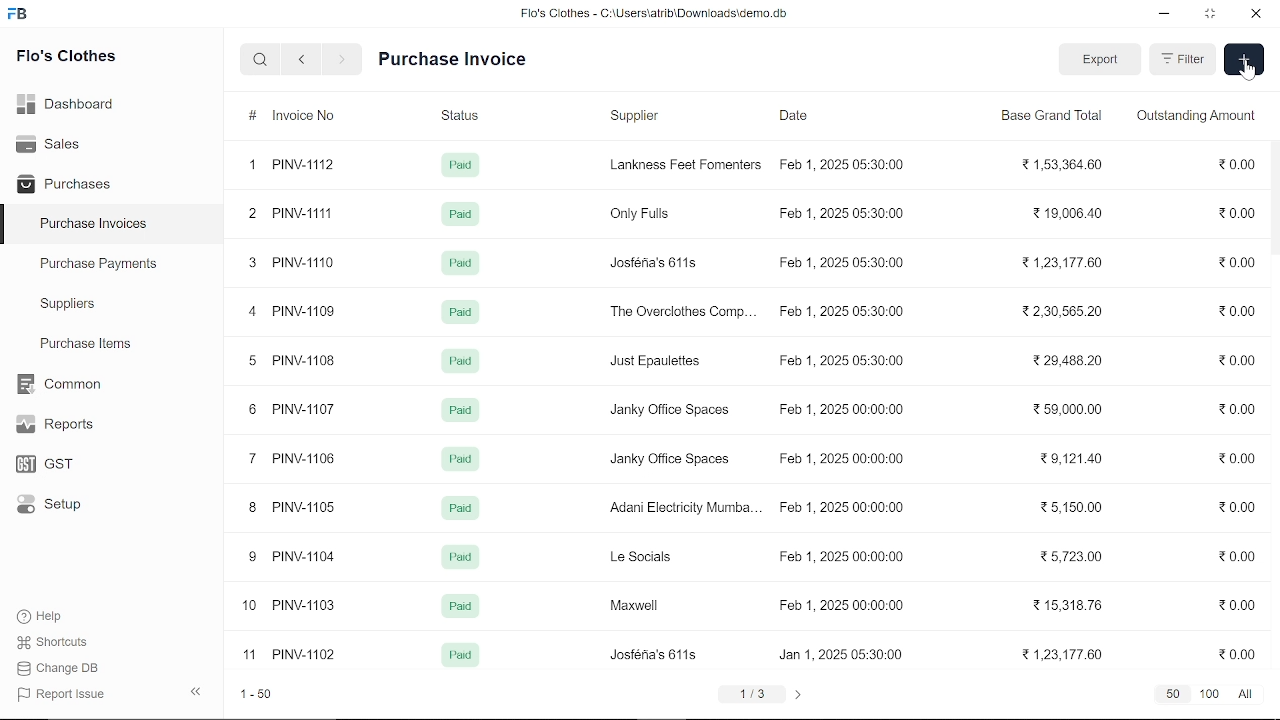 Image resolution: width=1280 pixels, height=720 pixels. I want to click on Dashboard, so click(66, 102).